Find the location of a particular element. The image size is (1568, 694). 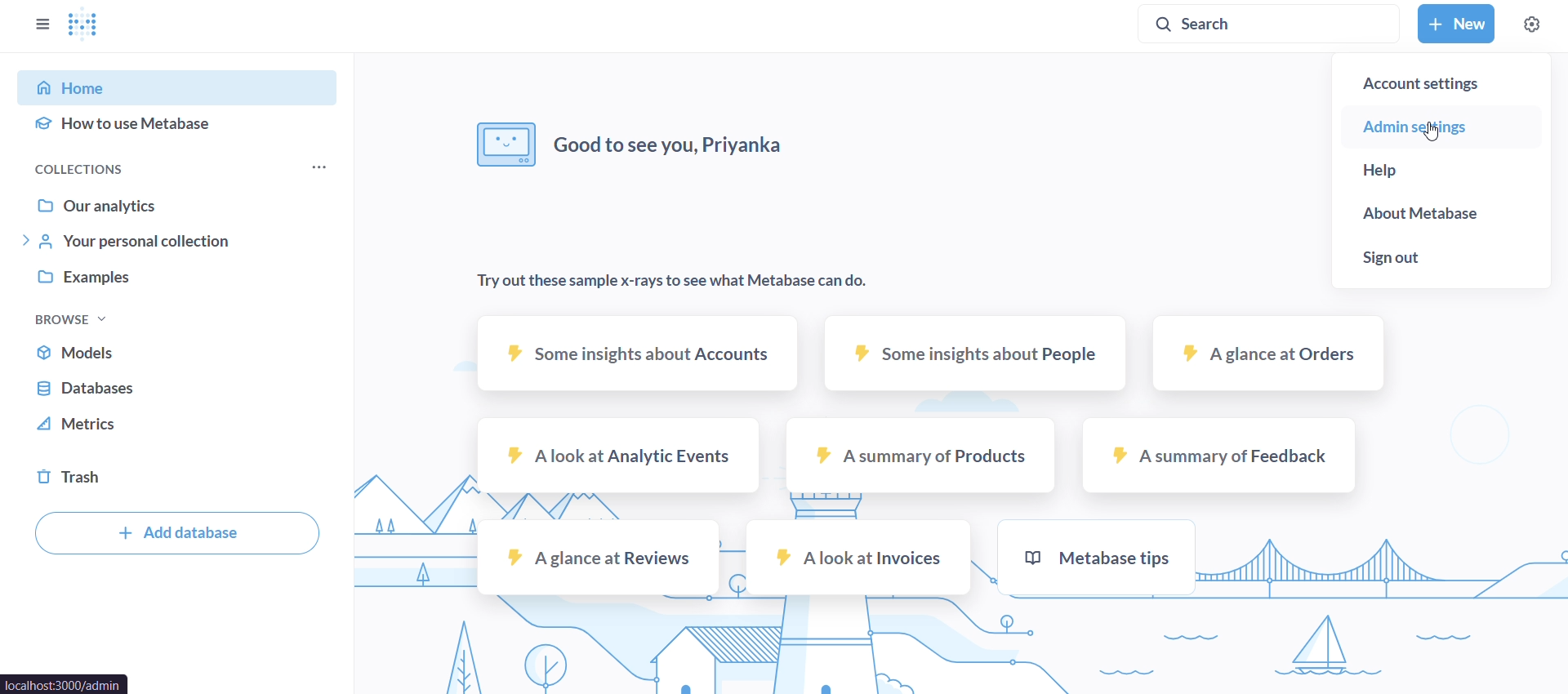

models is located at coordinates (177, 349).